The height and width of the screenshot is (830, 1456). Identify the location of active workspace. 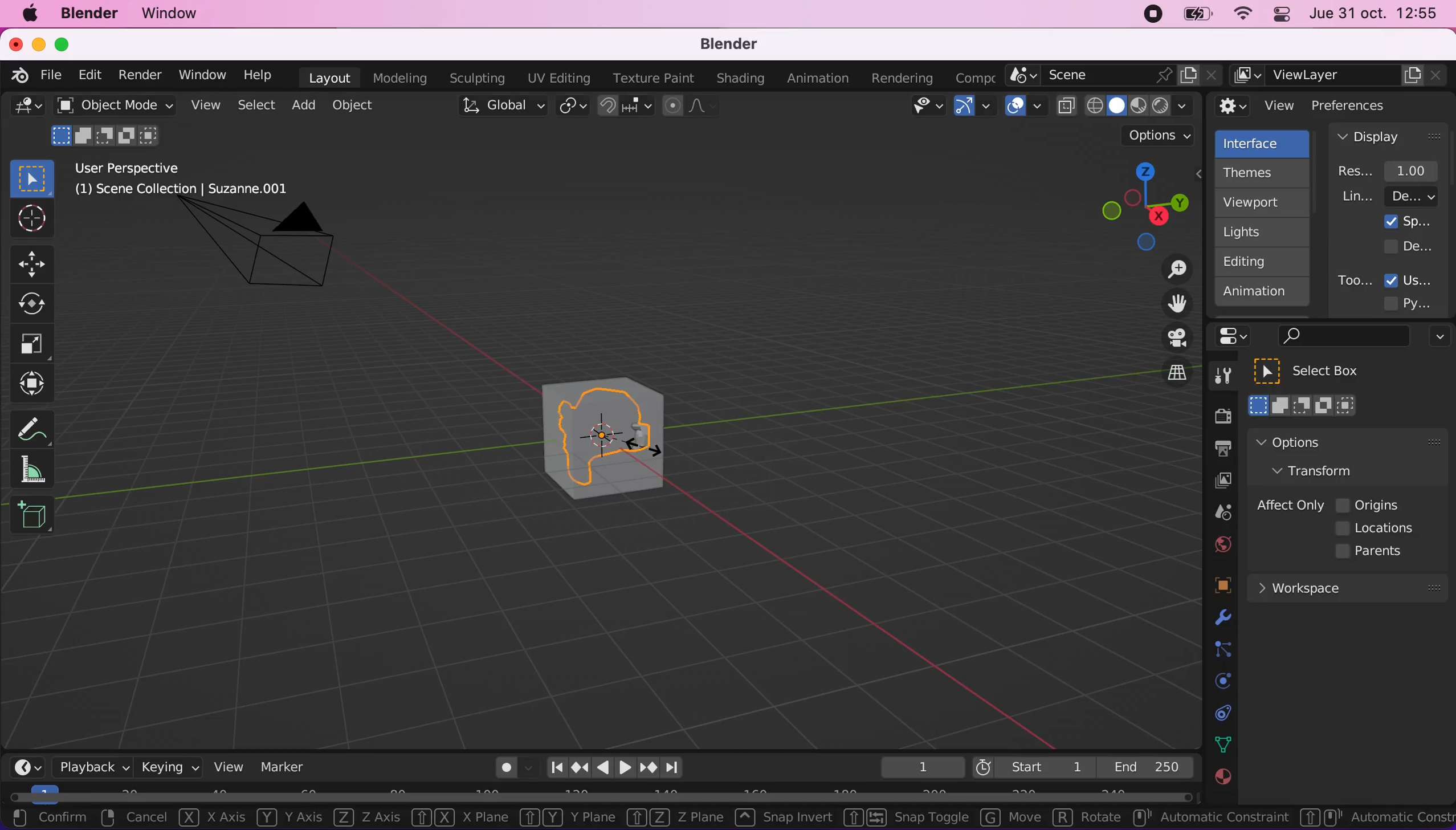
(971, 76).